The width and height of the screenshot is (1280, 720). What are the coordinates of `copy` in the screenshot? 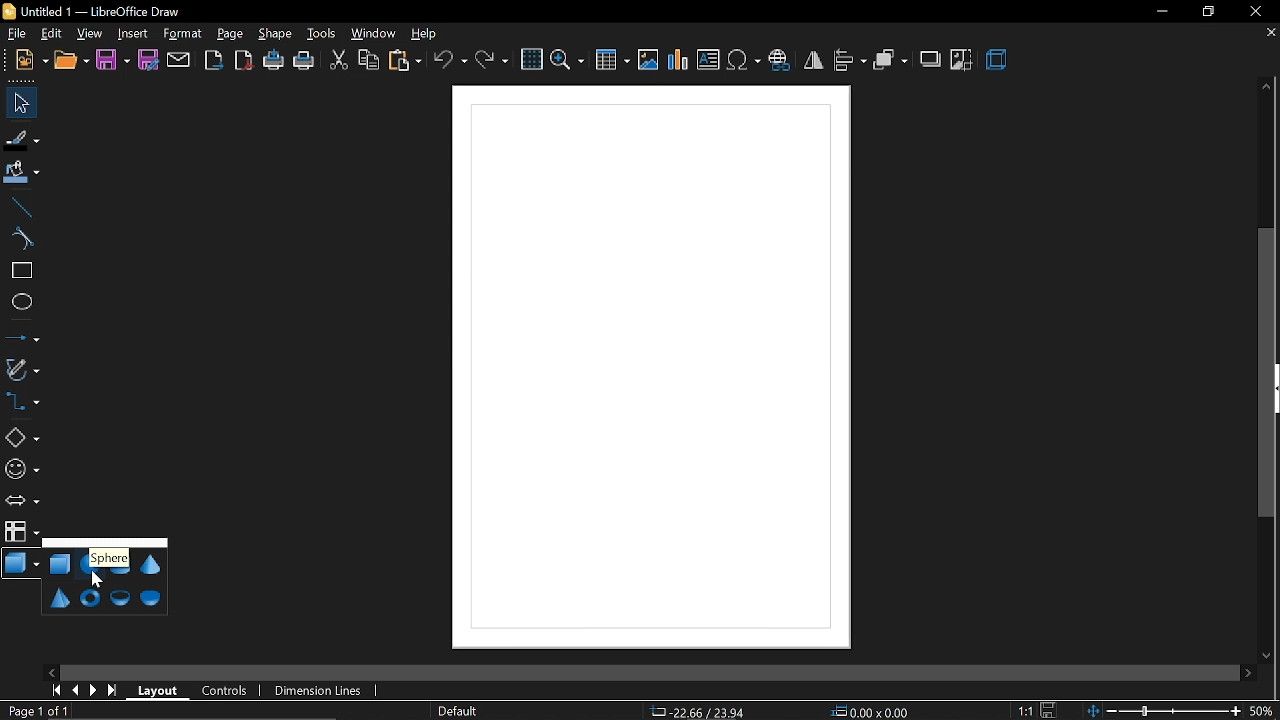 It's located at (370, 61).